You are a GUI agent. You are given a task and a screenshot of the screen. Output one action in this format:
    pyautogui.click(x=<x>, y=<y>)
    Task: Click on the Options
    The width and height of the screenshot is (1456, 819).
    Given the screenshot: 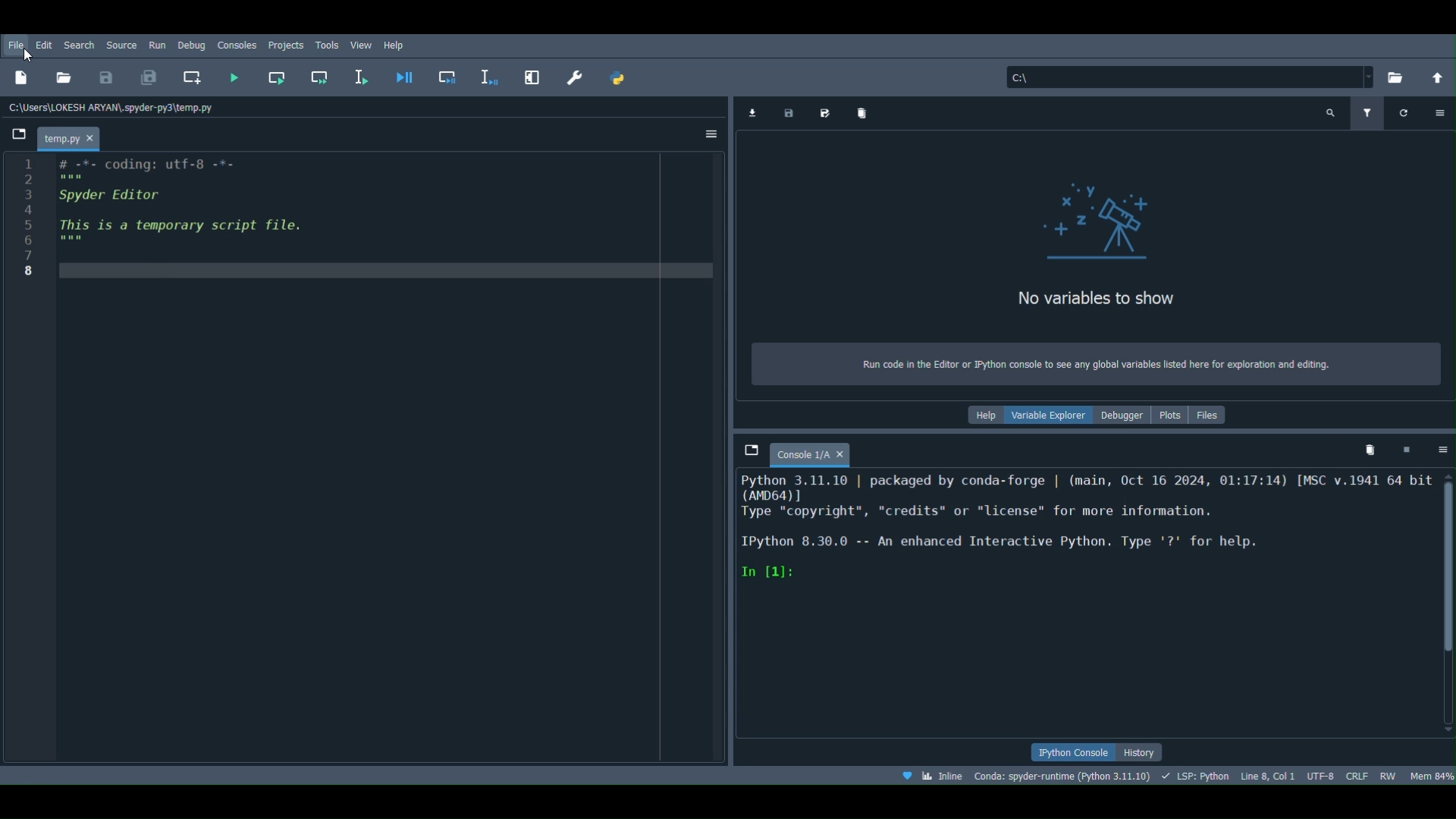 What is the action you would take?
    pyautogui.click(x=1438, y=109)
    